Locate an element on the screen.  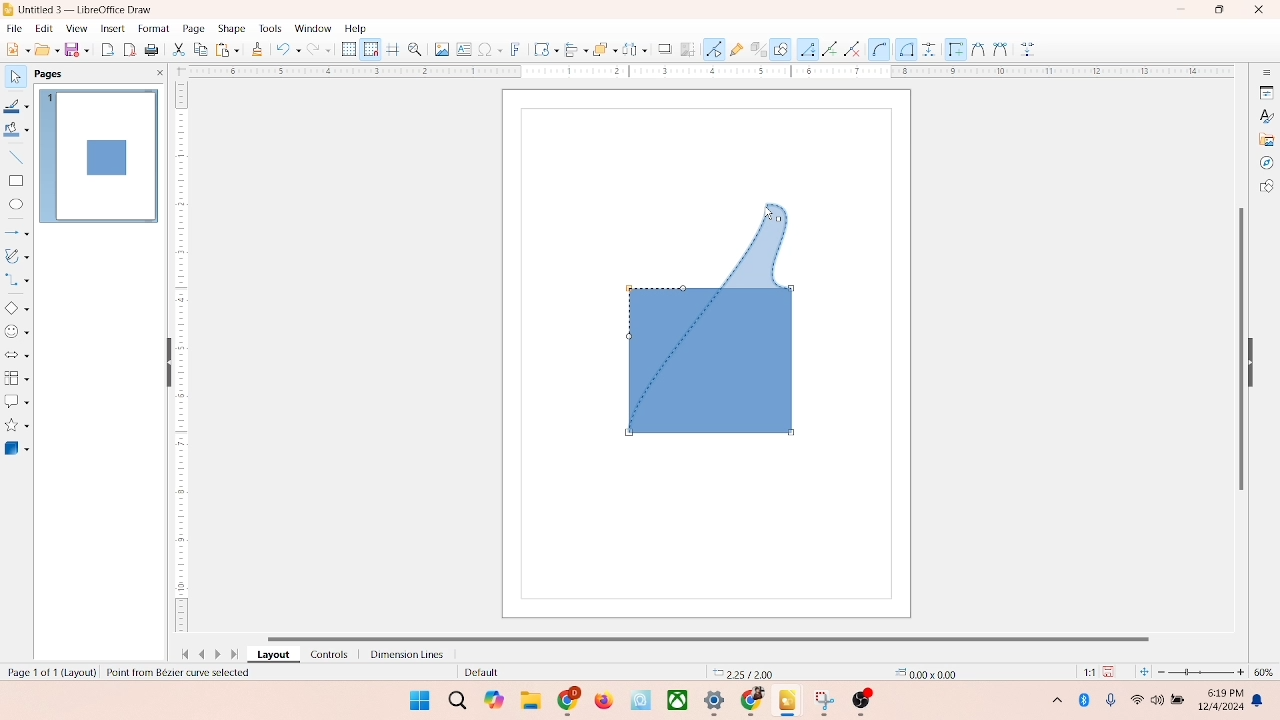
gluepoint function is located at coordinates (735, 50).